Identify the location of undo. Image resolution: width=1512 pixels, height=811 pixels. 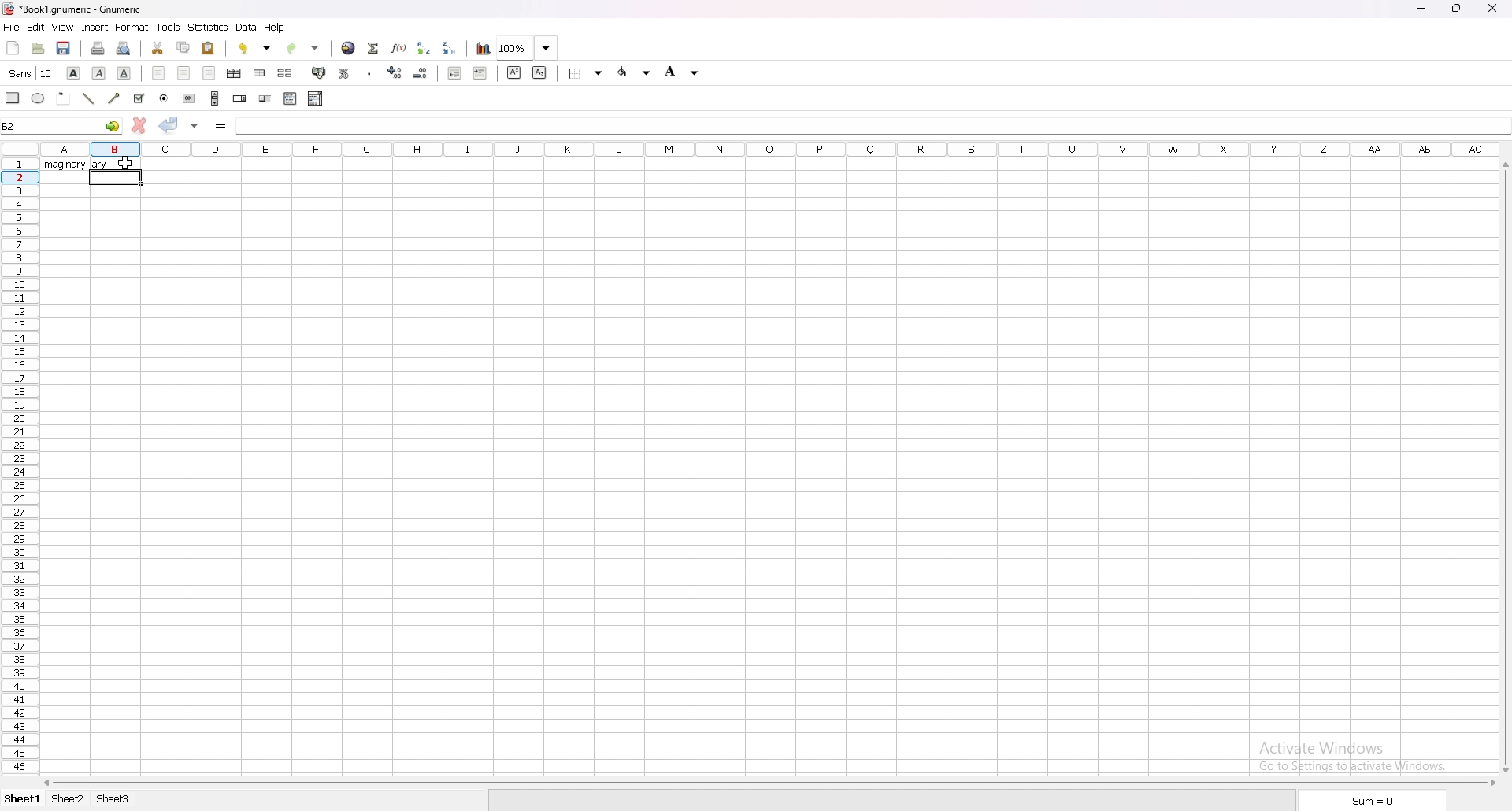
(254, 48).